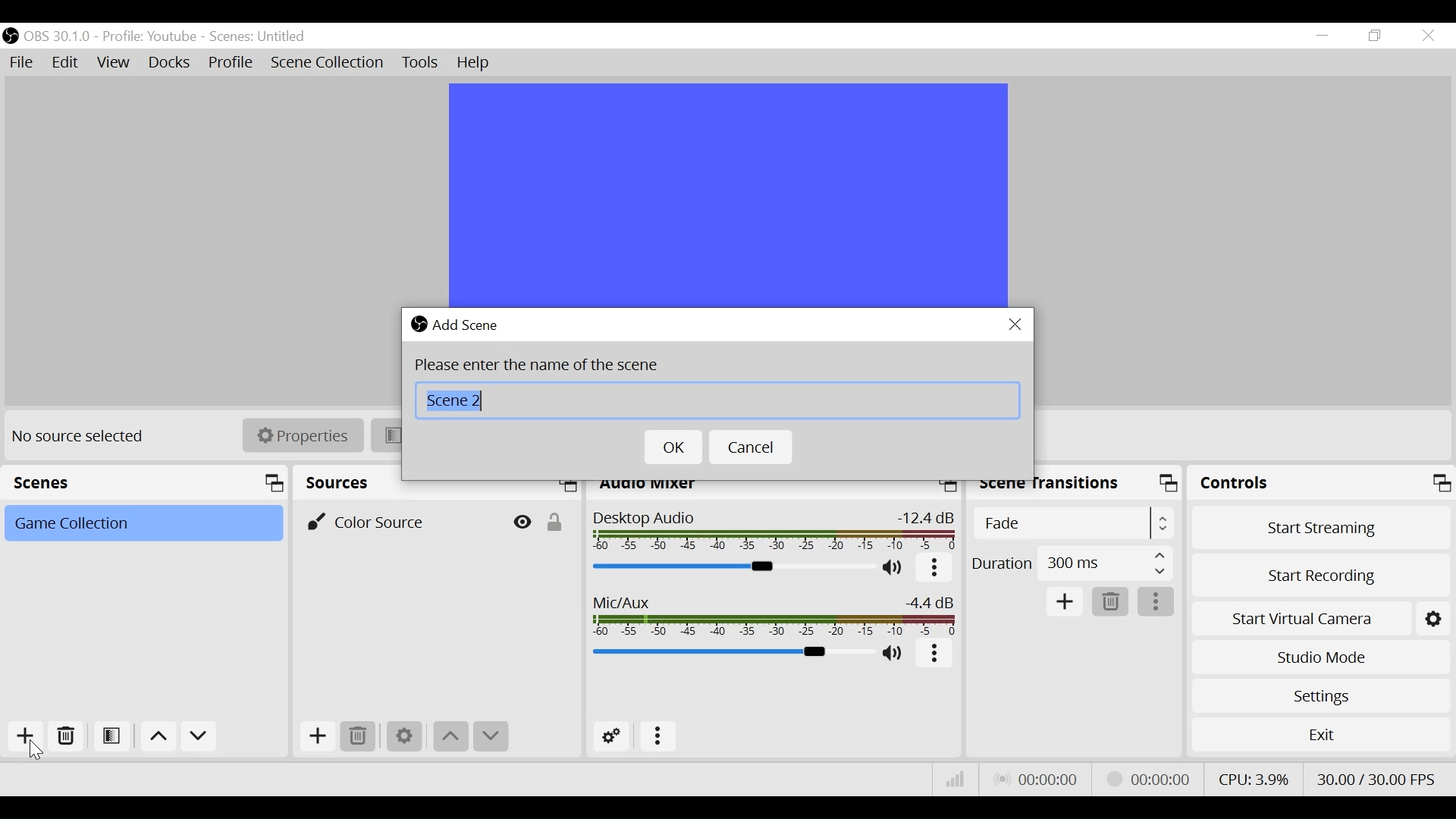  Describe the element at coordinates (231, 64) in the screenshot. I see `Profile` at that location.